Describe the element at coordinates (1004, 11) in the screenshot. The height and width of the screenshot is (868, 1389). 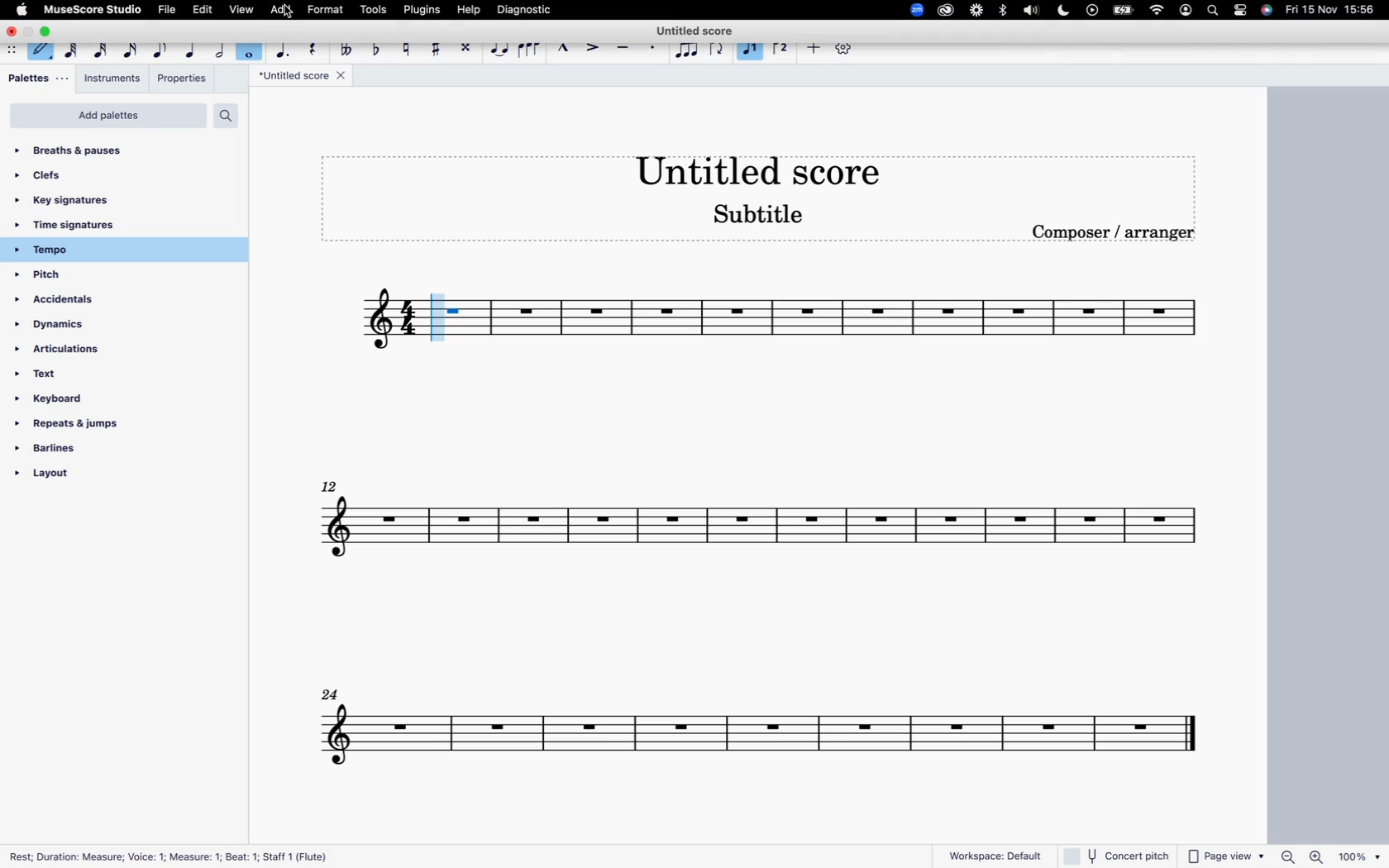
I see `bluetooth` at that location.